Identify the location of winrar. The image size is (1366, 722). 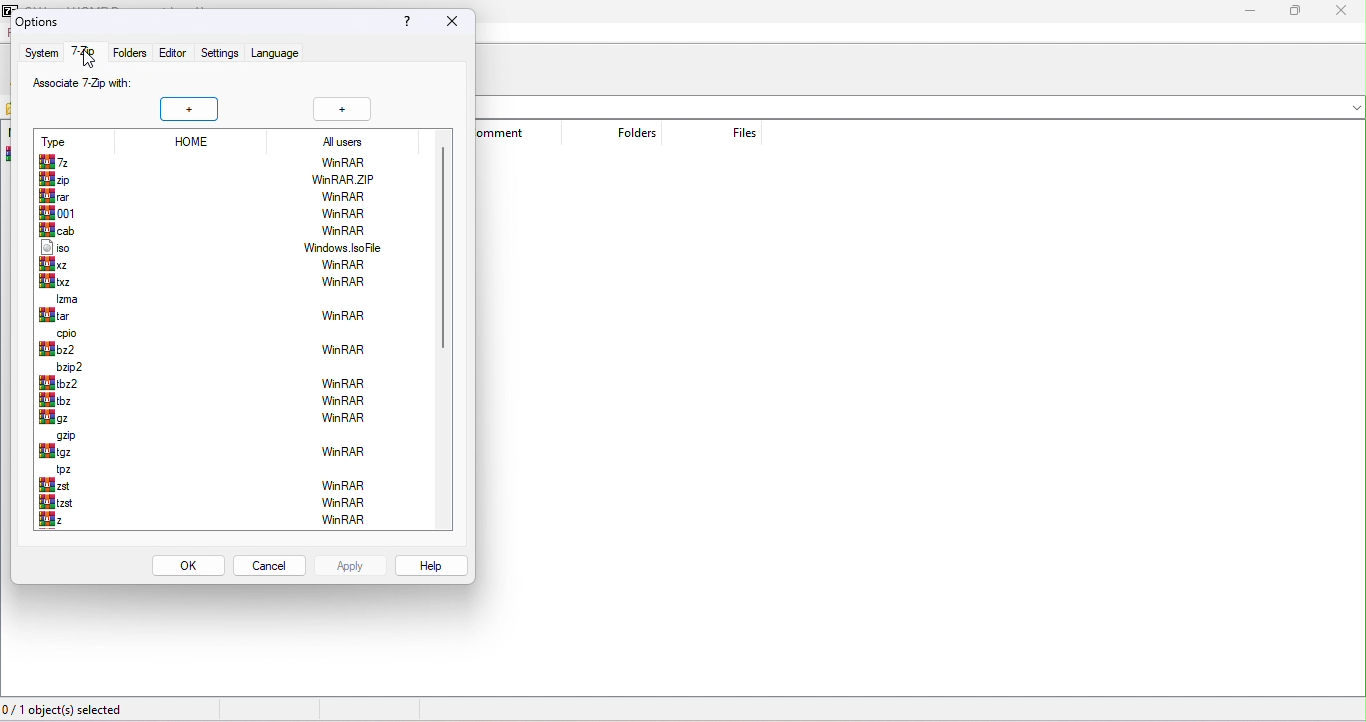
(348, 316).